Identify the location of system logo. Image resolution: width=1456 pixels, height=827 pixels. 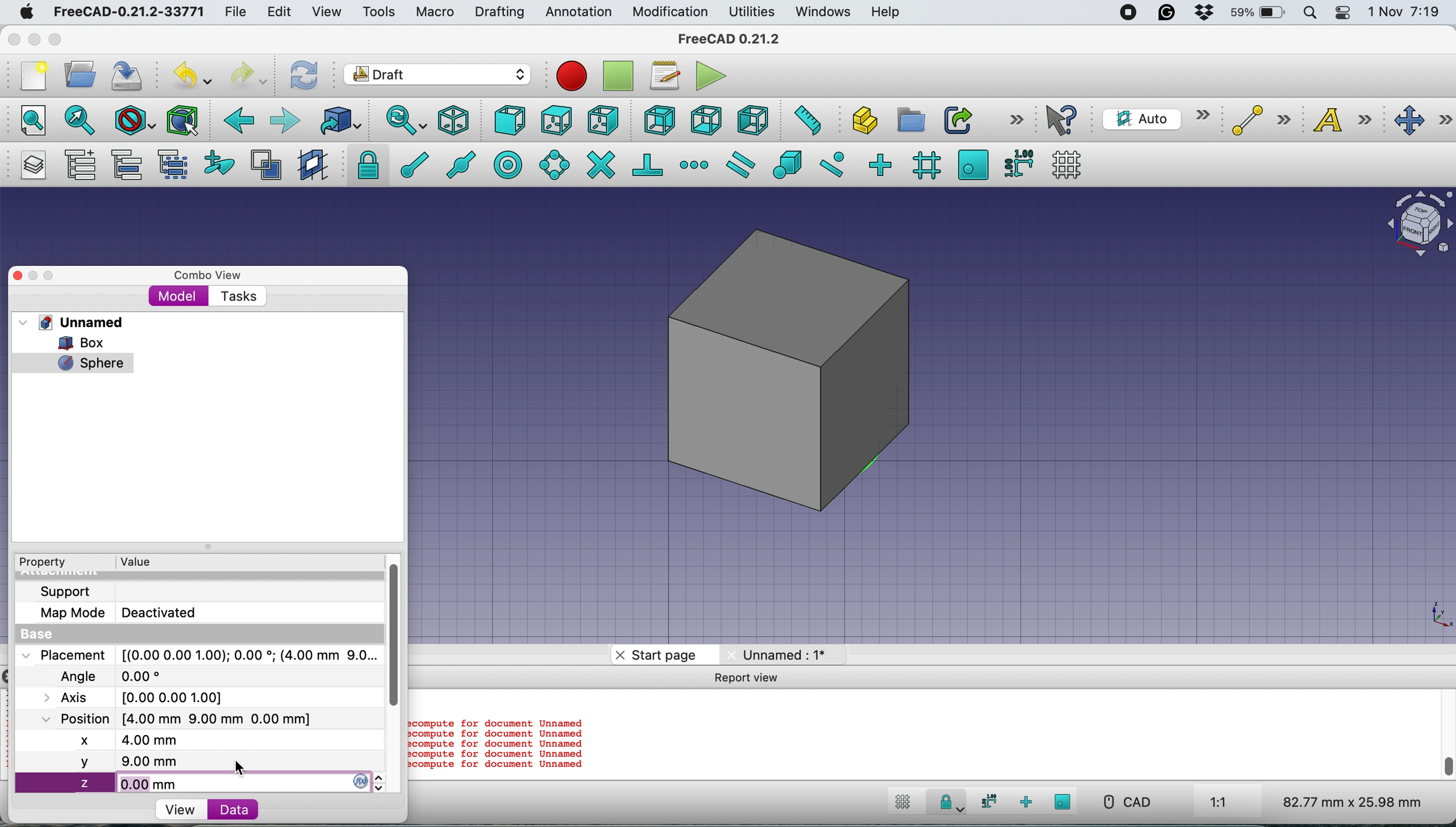
(28, 12).